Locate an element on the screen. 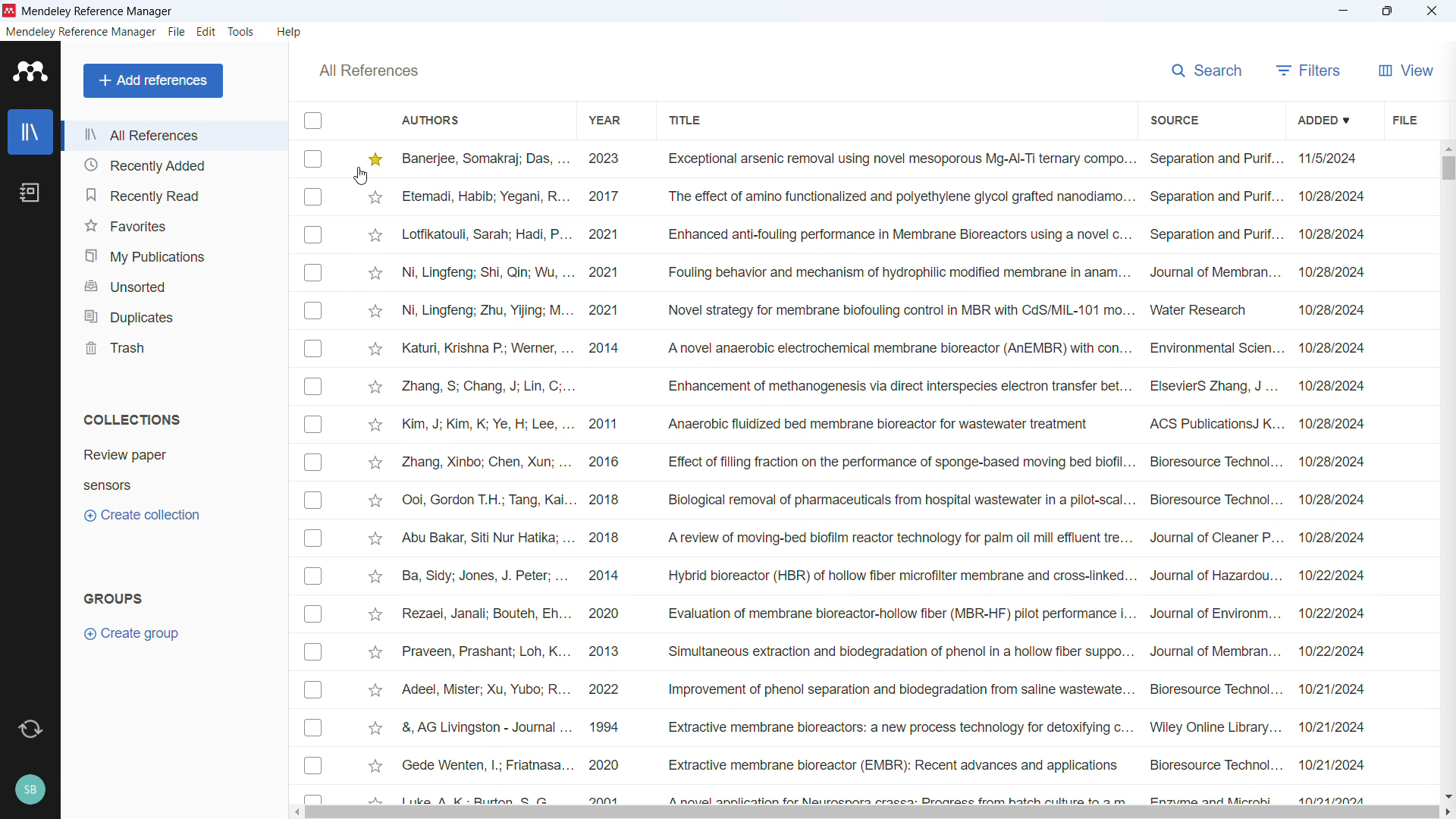 The width and height of the screenshot is (1456, 819). Scroll up  is located at coordinates (1447, 149).